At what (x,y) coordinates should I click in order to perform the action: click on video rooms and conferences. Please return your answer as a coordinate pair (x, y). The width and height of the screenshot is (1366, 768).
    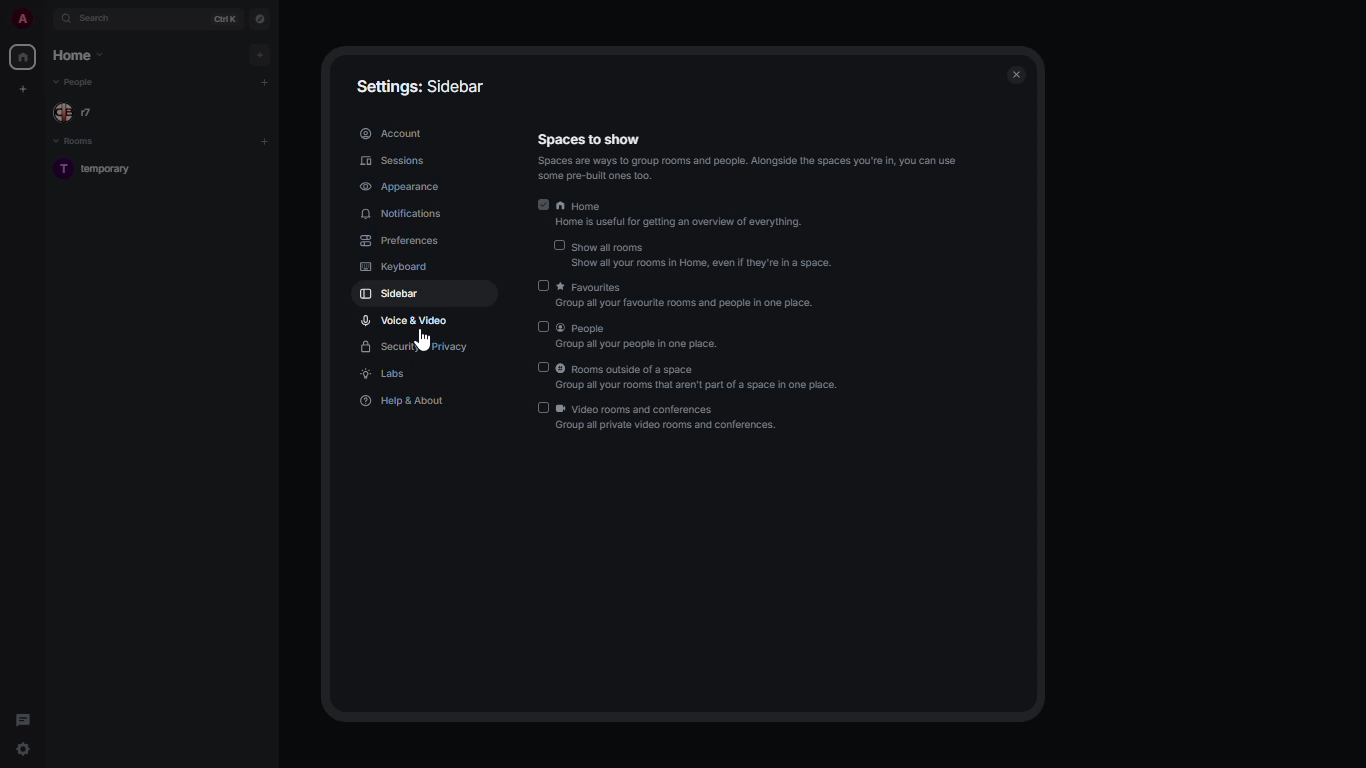
    Looking at the image, I should click on (672, 416).